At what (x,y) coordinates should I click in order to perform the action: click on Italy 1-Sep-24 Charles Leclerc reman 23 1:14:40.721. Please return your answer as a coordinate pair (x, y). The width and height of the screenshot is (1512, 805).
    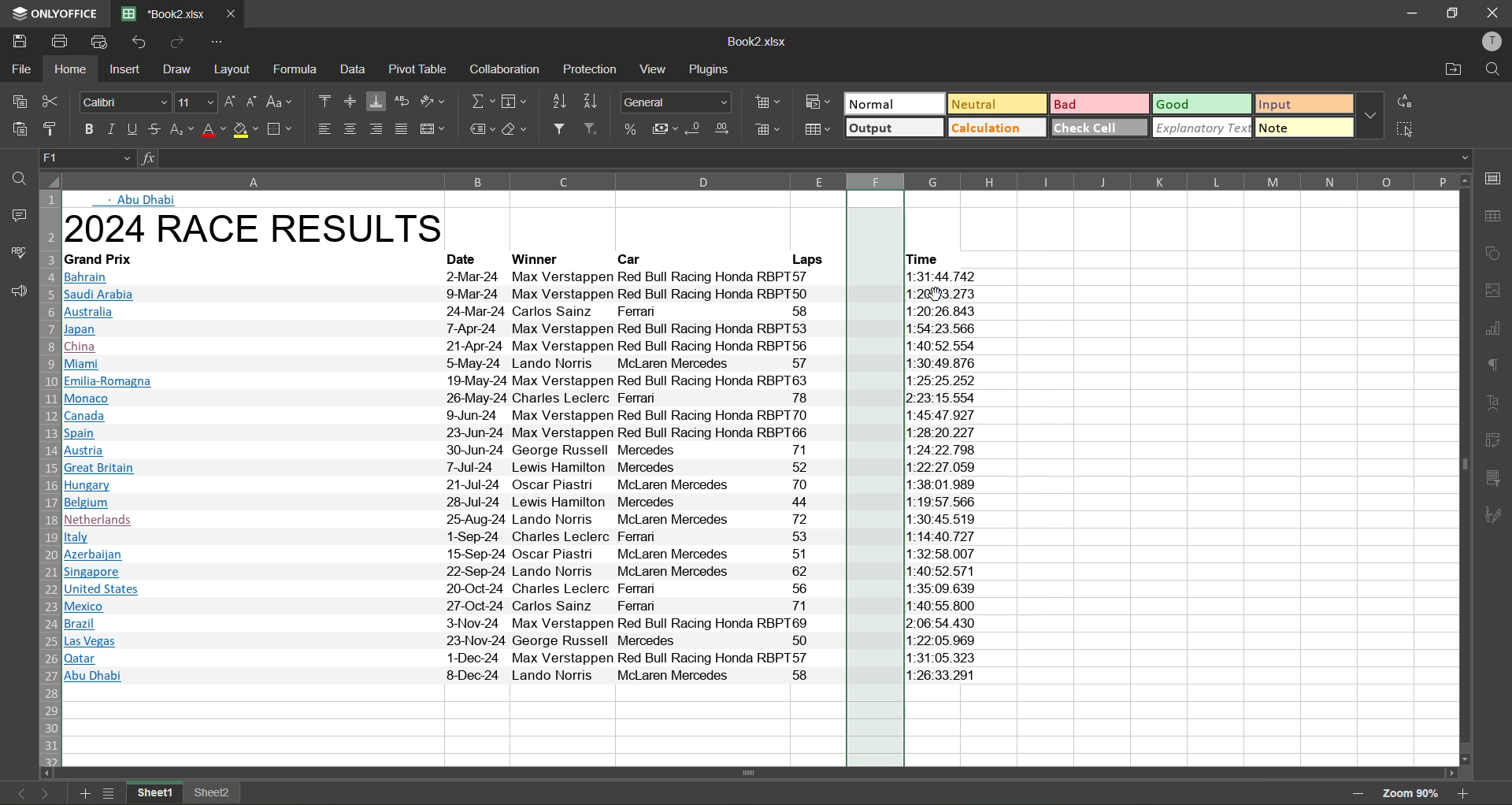
    Looking at the image, I should click on (448, 538).